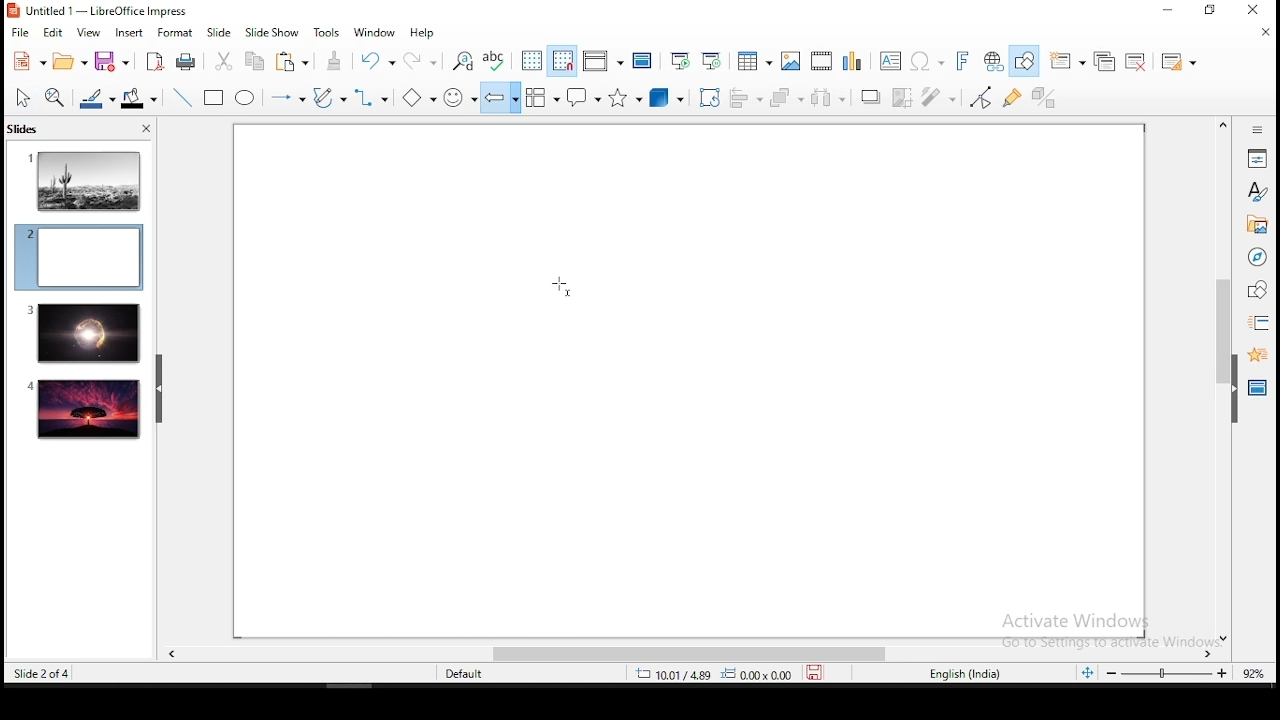 Image resolution: width=1280 pixels, height=720 pixels. I want to click on align objects, so click(751, 99).